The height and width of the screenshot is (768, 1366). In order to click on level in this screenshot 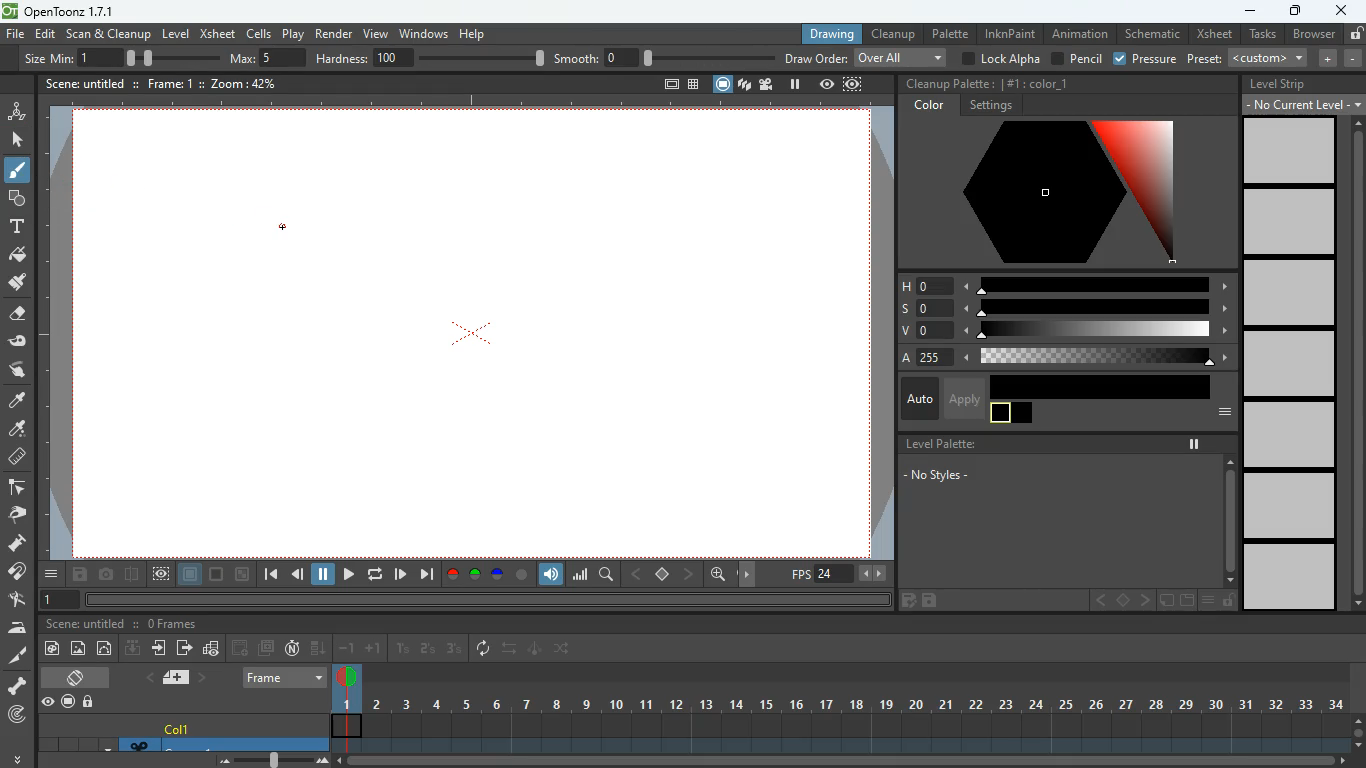, I will do `click(1292, 578)`.